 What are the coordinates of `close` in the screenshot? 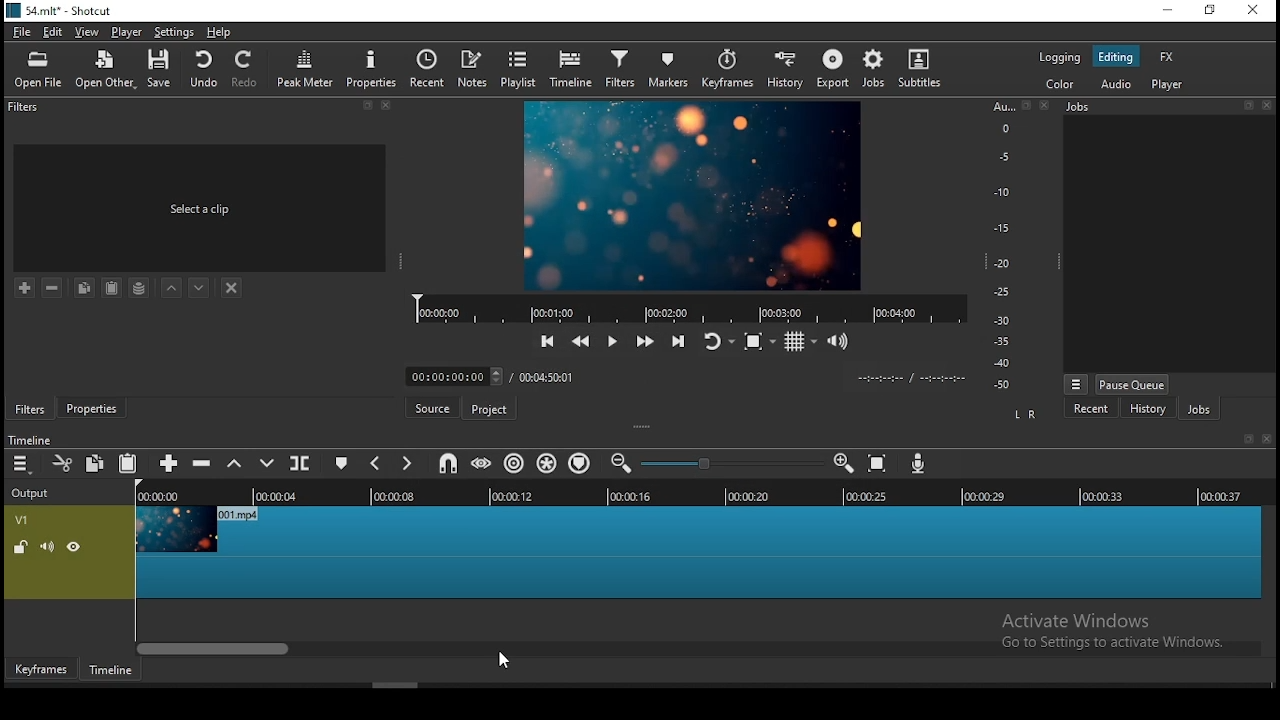 It's located at (1270, 106).